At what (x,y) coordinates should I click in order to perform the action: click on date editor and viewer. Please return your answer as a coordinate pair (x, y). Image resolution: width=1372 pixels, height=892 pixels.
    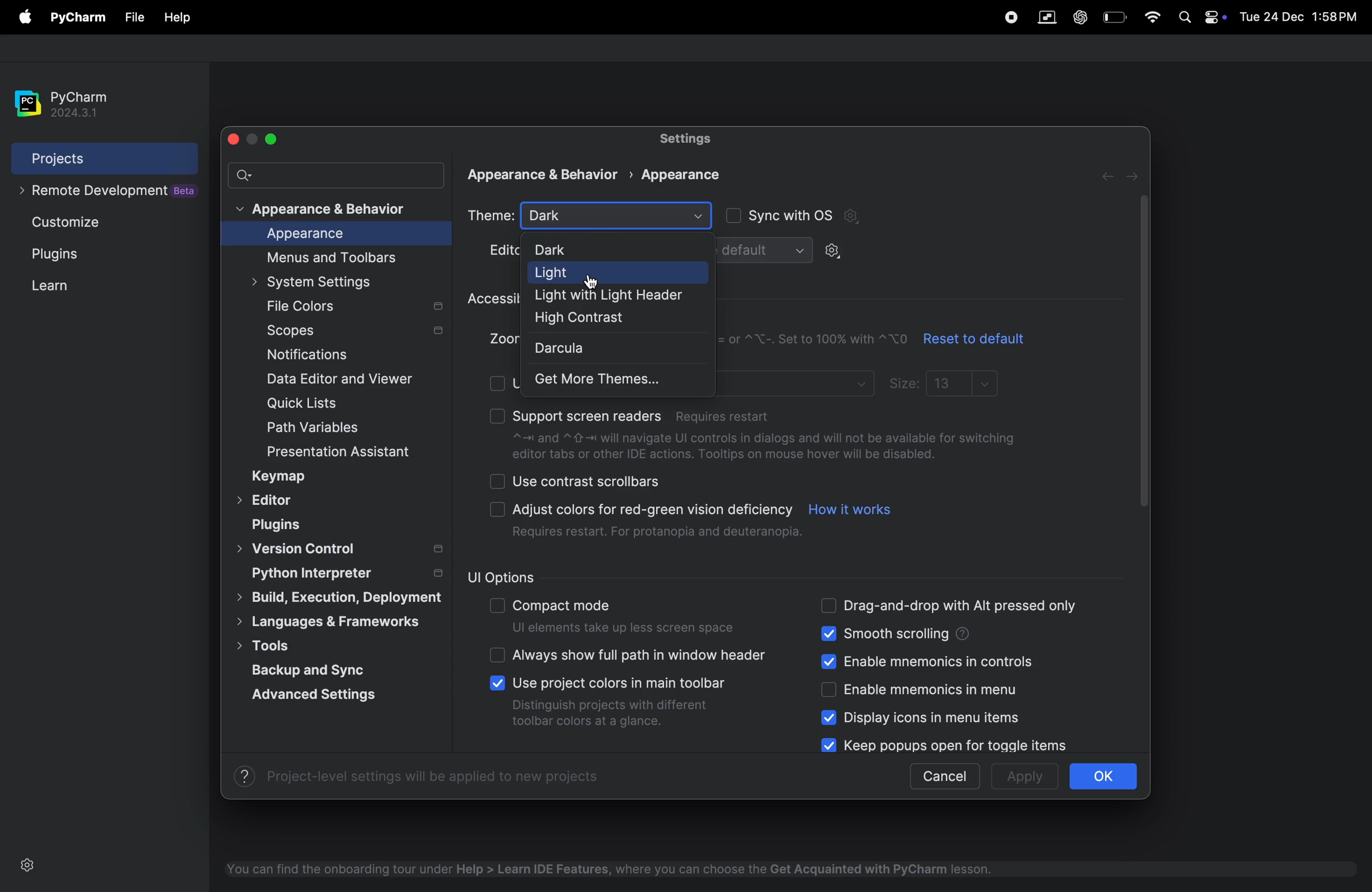
    Looking at the image, I should click on (339, 382).